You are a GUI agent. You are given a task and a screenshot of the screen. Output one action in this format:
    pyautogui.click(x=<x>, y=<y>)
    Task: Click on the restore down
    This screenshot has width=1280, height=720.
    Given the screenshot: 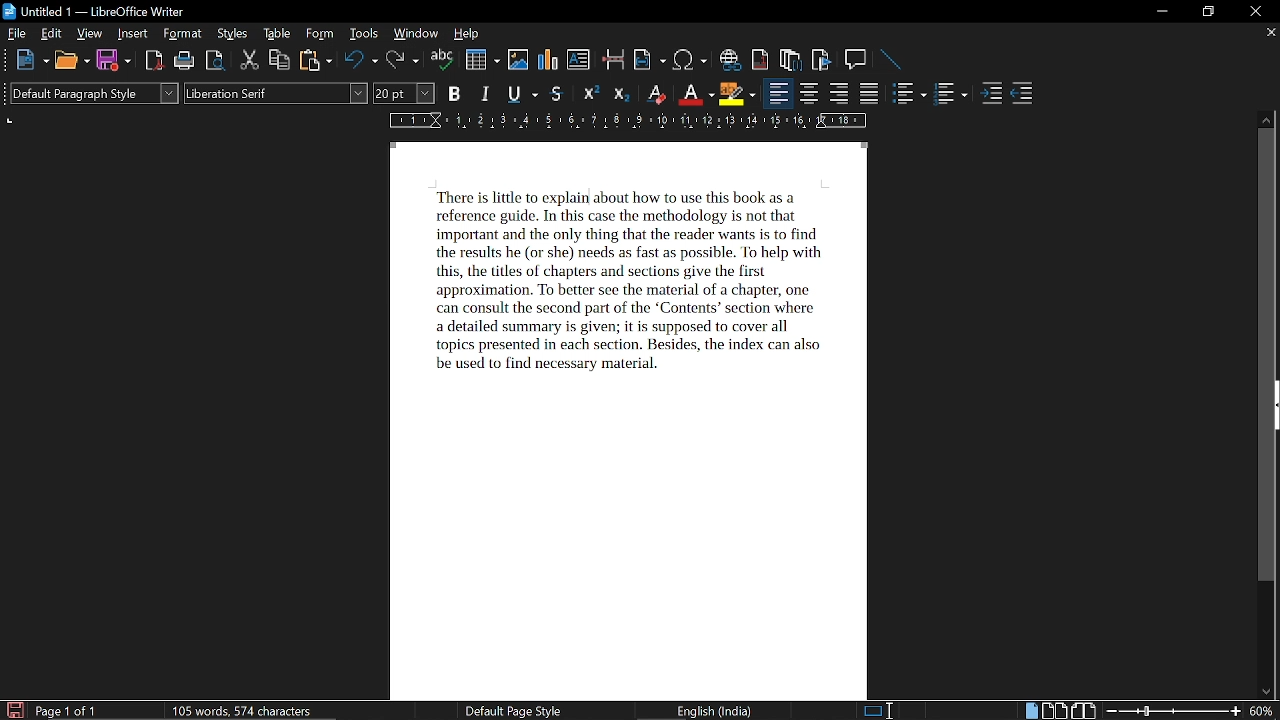 What is the action you would take?
    pyautogui.click(x=1210, y=11)
    